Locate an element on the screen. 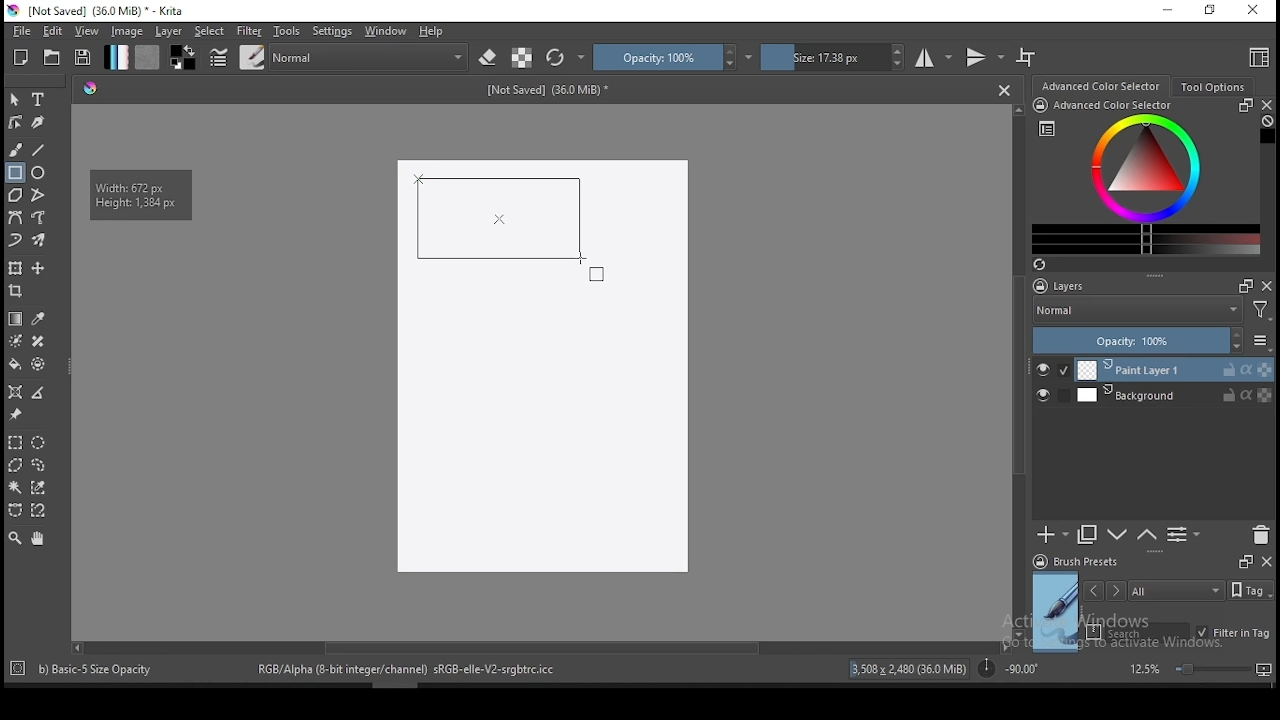 The width and height of the screenshot is (1280, 720). layers is located at coordinates (1065, 287).